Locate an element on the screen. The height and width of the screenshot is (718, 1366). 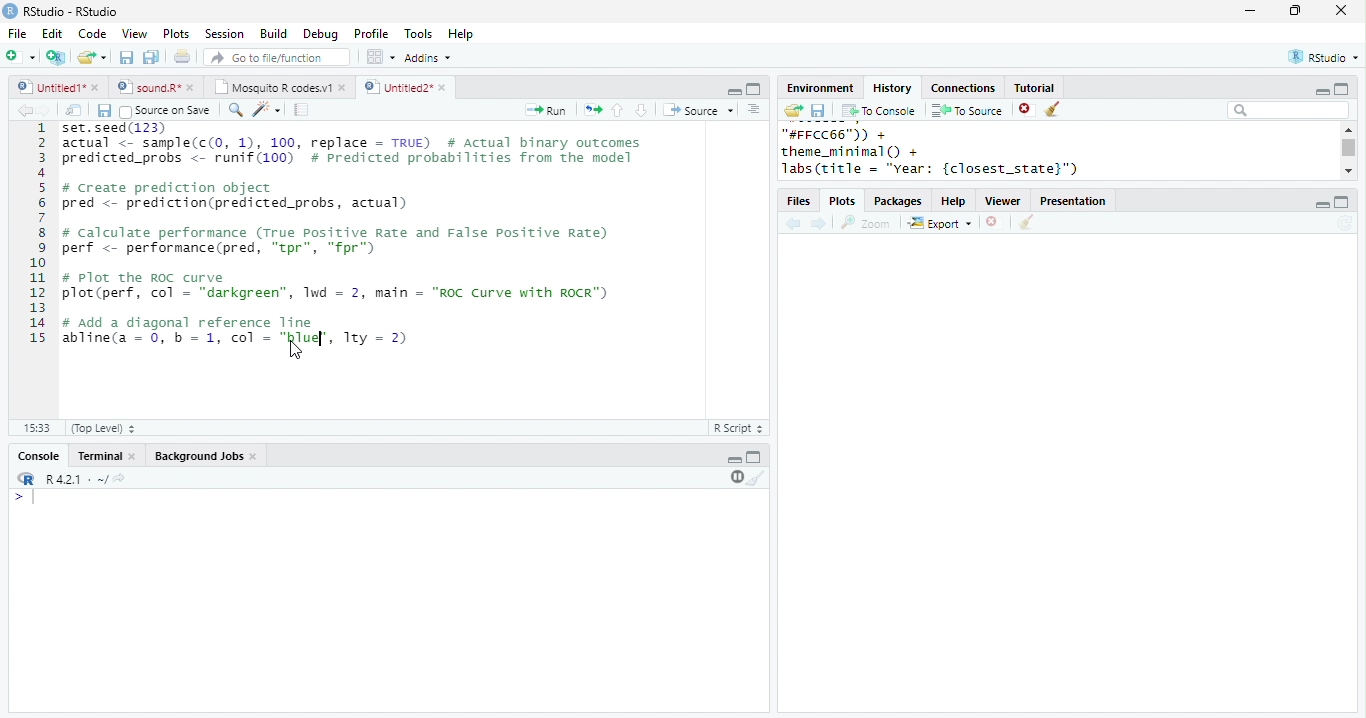
Plots is located at coordinates (844, 202).